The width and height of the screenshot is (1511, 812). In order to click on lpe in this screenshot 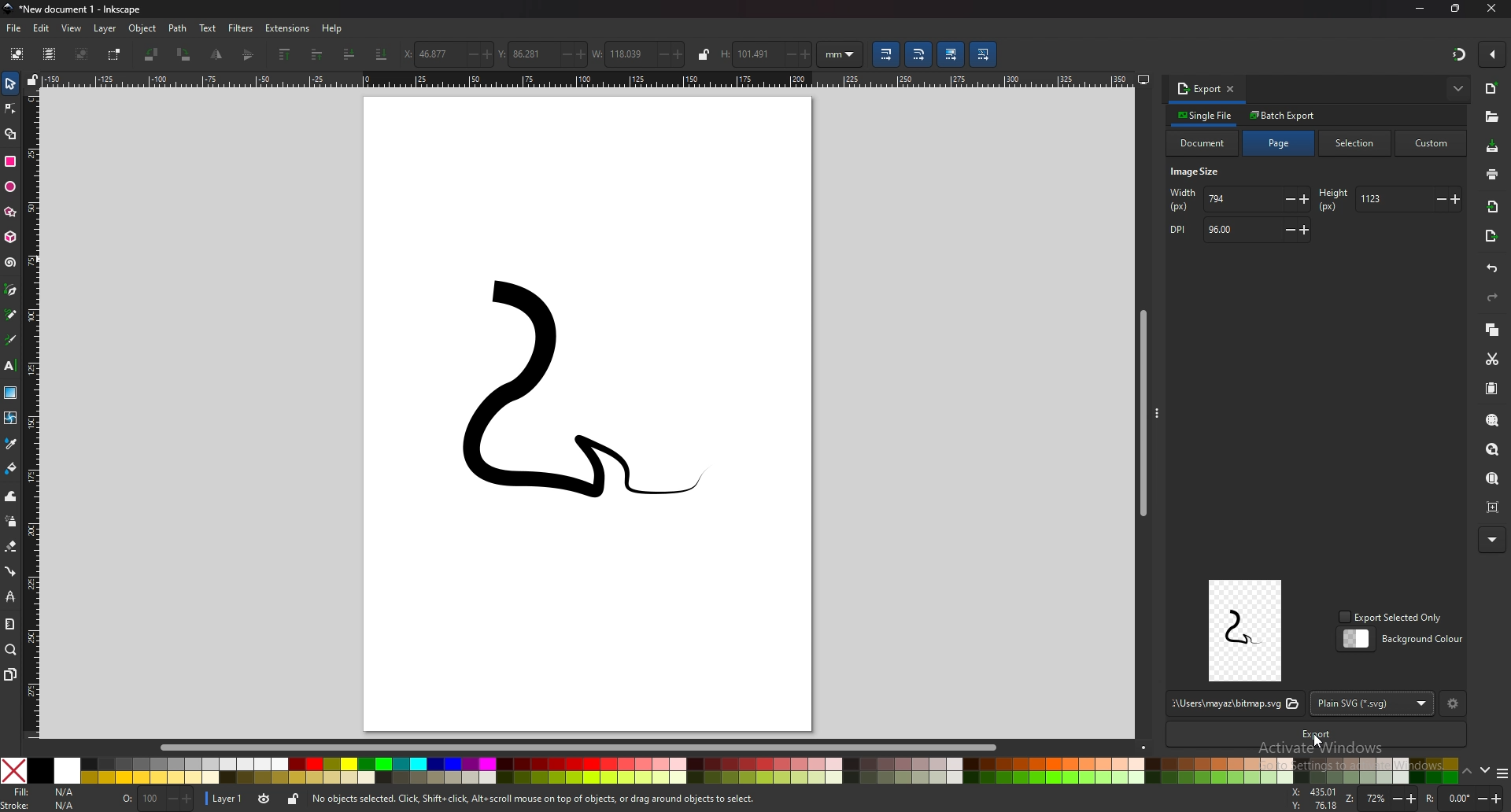, I will do `click(9, 596)`.